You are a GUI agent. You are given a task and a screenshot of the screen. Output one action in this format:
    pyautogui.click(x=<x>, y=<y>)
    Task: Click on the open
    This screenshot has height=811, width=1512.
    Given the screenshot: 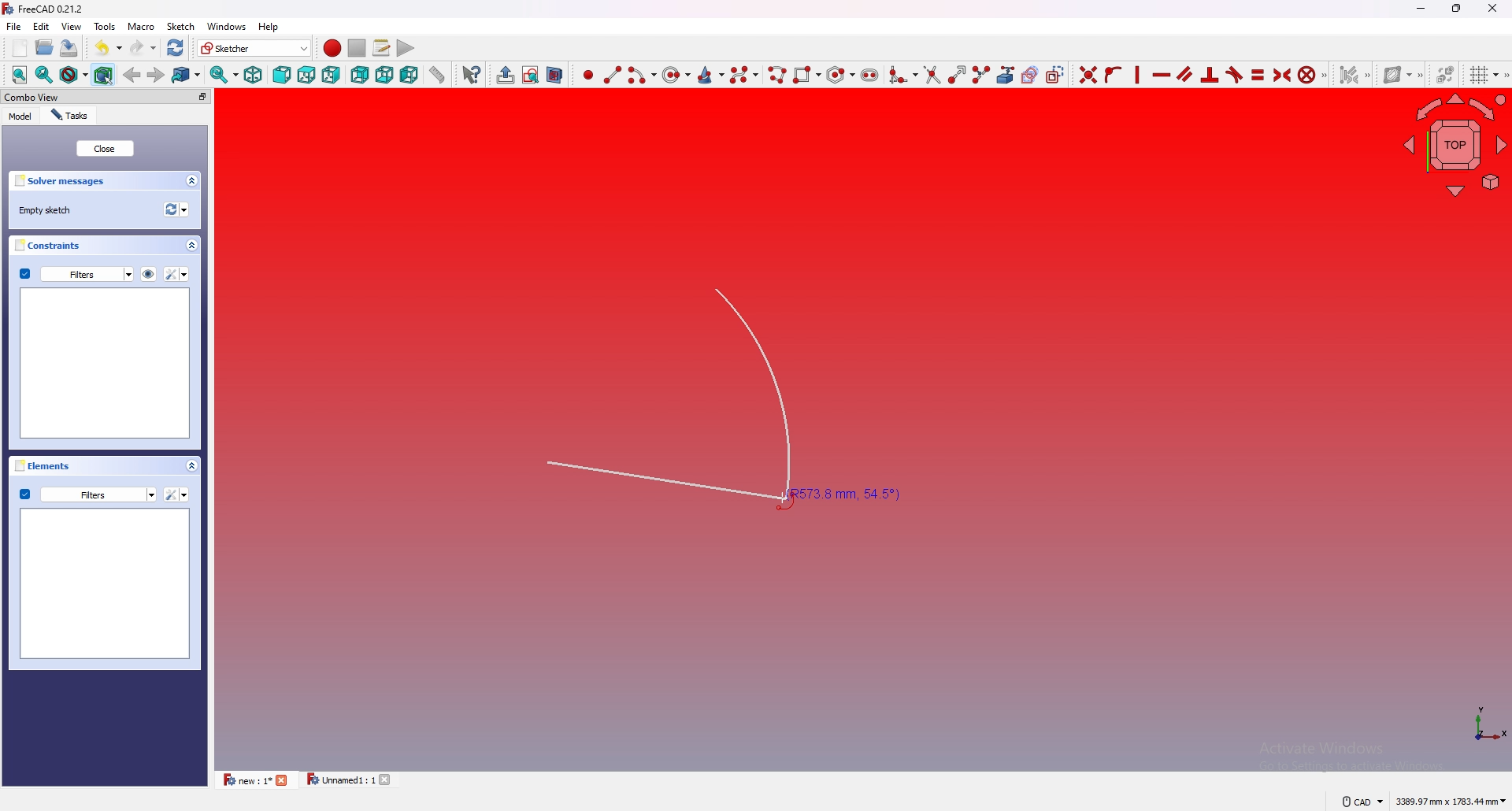 What is the action you would take?
    pyautogui.click(x=45, y=47)
    